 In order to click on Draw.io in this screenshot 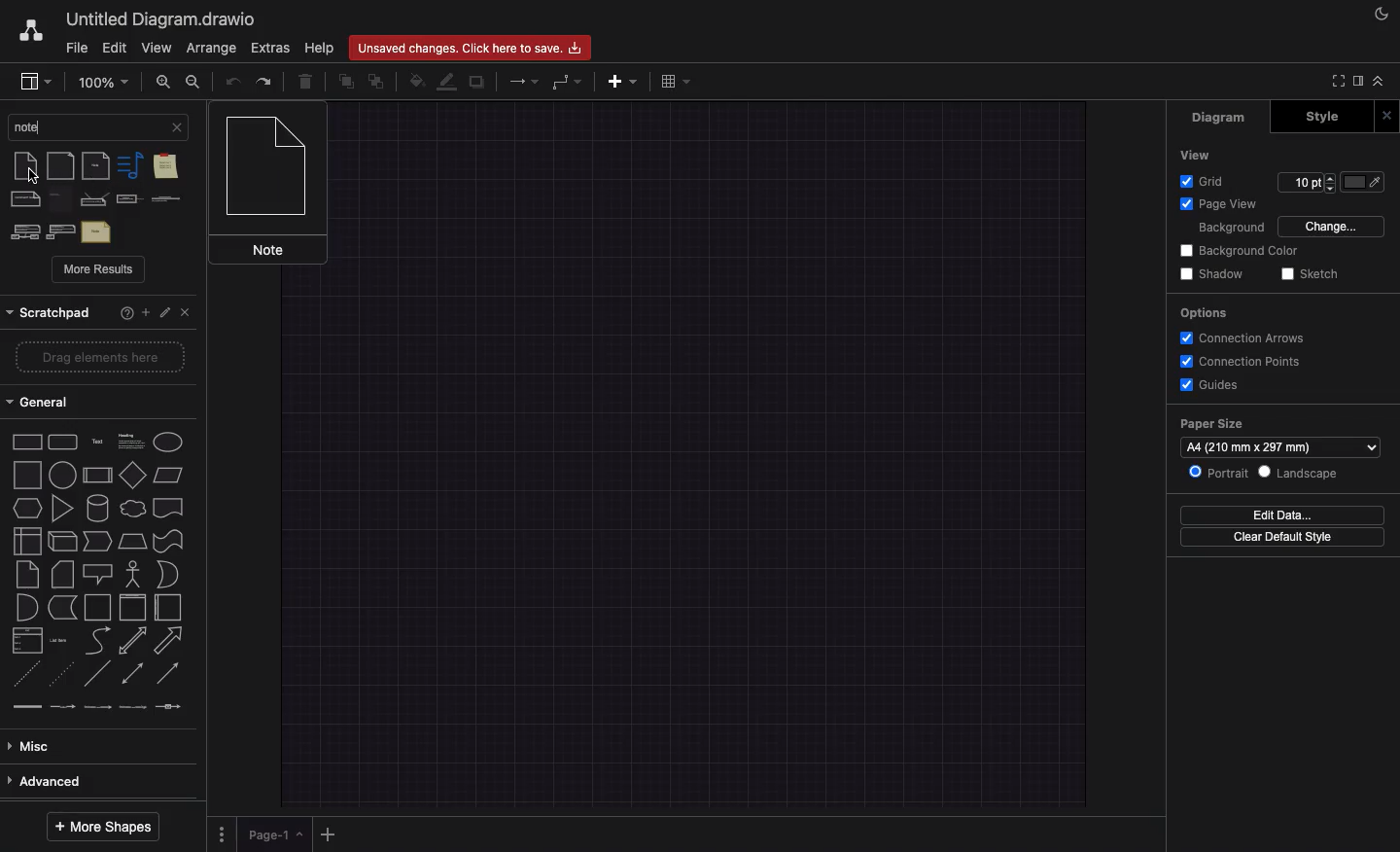, I will do `click(33, 30)`.